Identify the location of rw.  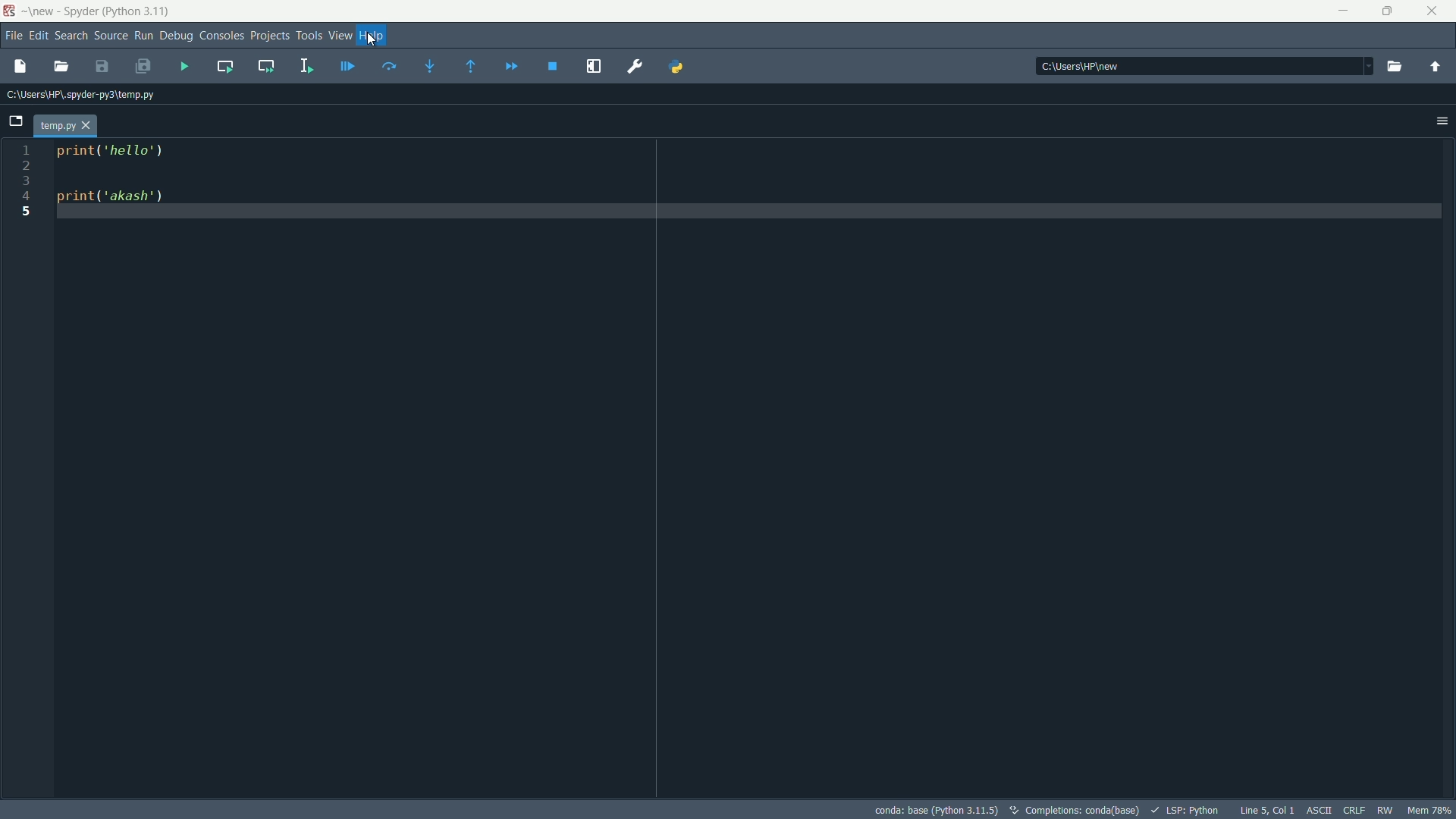
(1387, 811).